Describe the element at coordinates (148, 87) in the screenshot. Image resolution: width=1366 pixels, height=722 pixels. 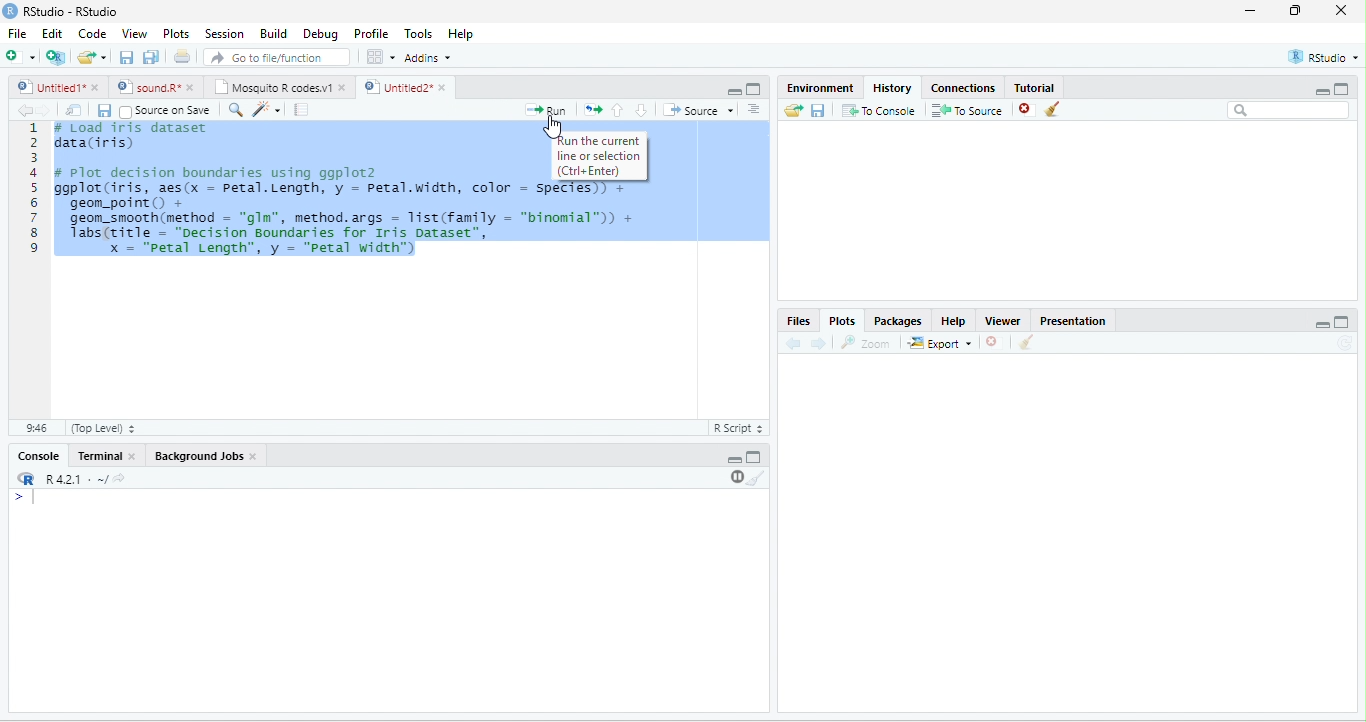
I see `sound.R` at that location.